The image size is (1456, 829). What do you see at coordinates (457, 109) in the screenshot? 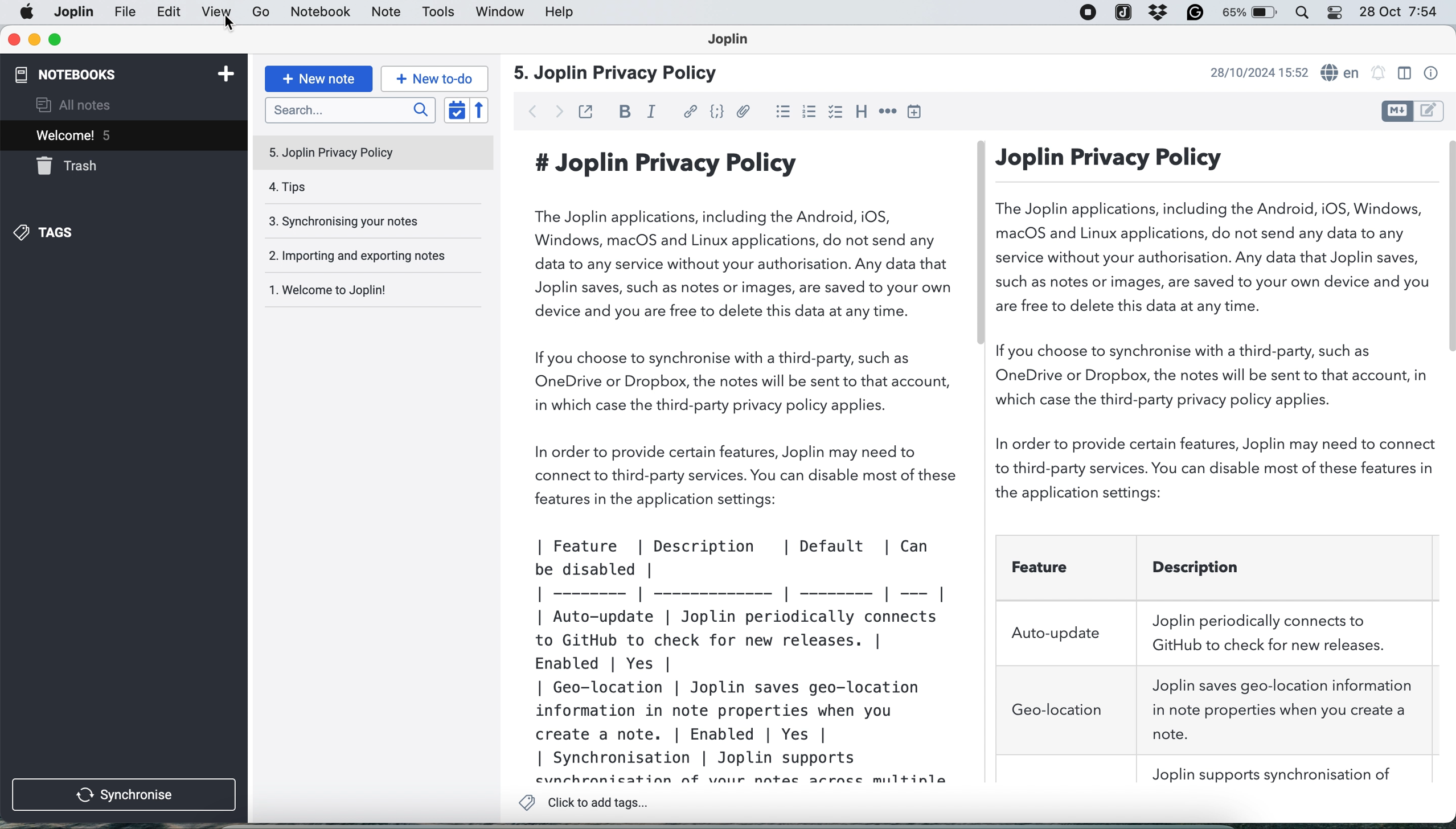
I see `toggle sort order field` at bounding box center [457, 109].